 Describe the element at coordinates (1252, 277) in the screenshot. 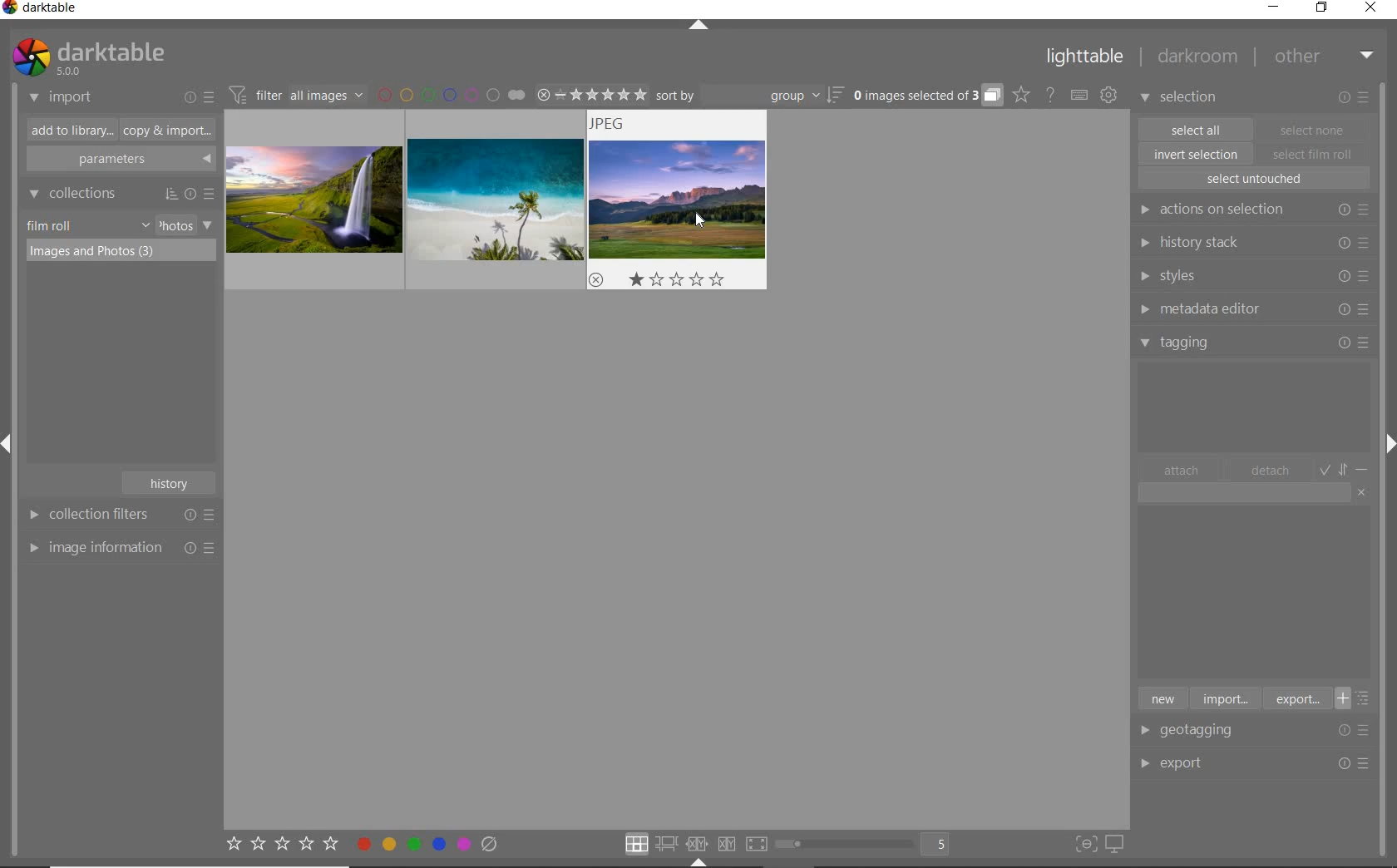

I see `styles` at that location.